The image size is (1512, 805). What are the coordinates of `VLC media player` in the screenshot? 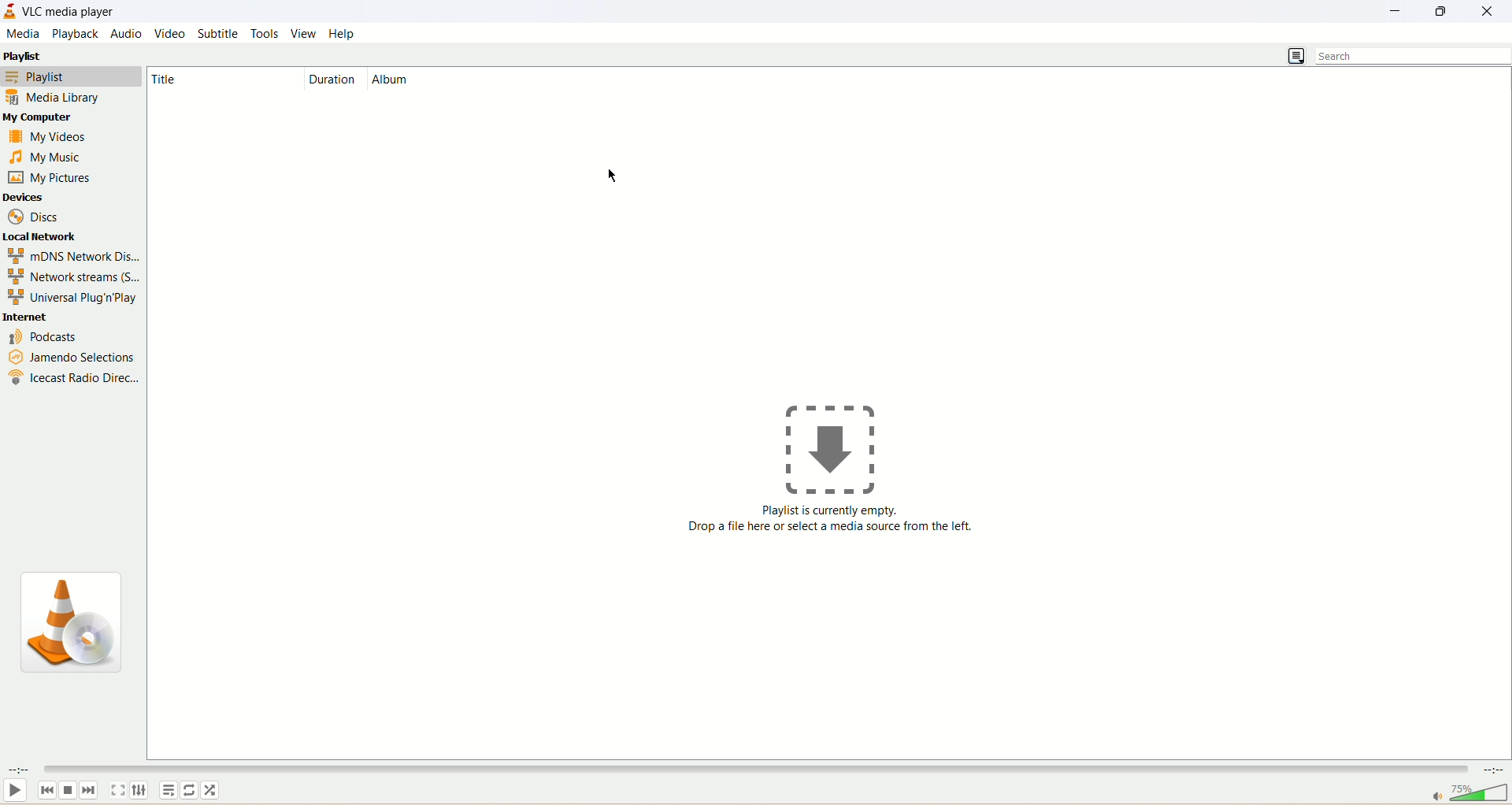 It's located at (67, 11).